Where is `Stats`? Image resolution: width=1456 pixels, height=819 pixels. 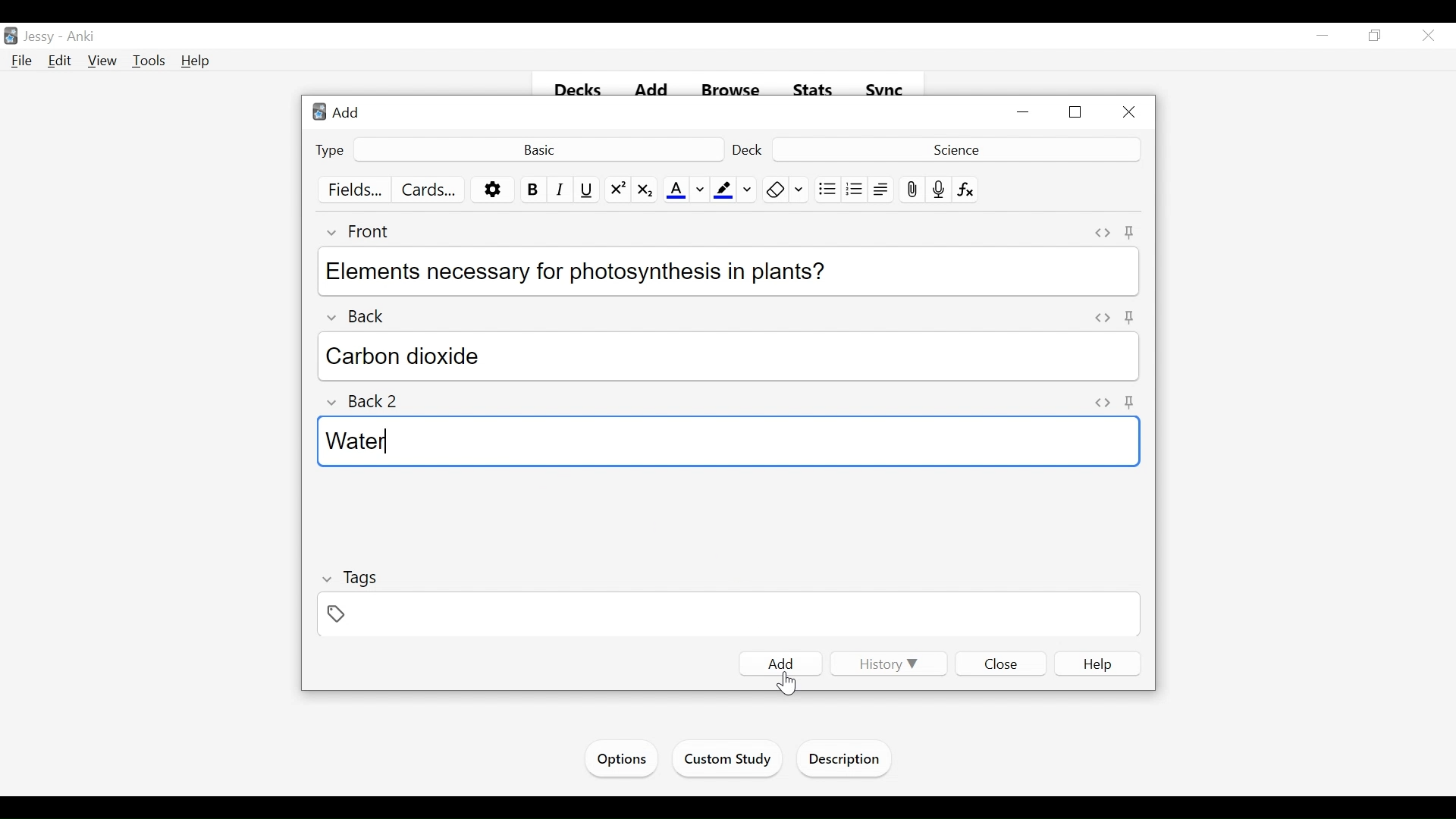 Stats is located at coordinates (814, 90).